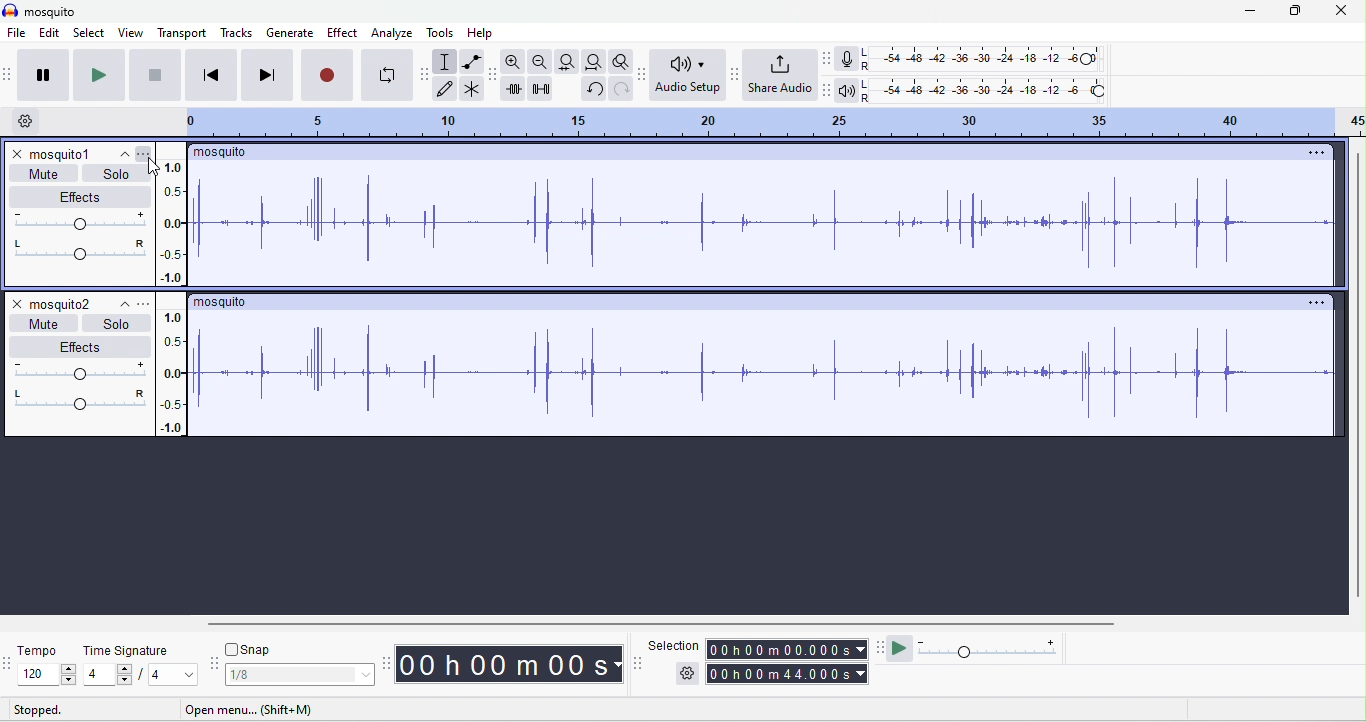 Image resolution: width=1366 pixels, height=722 pixels. I want to click on track1, so click(78, 153).